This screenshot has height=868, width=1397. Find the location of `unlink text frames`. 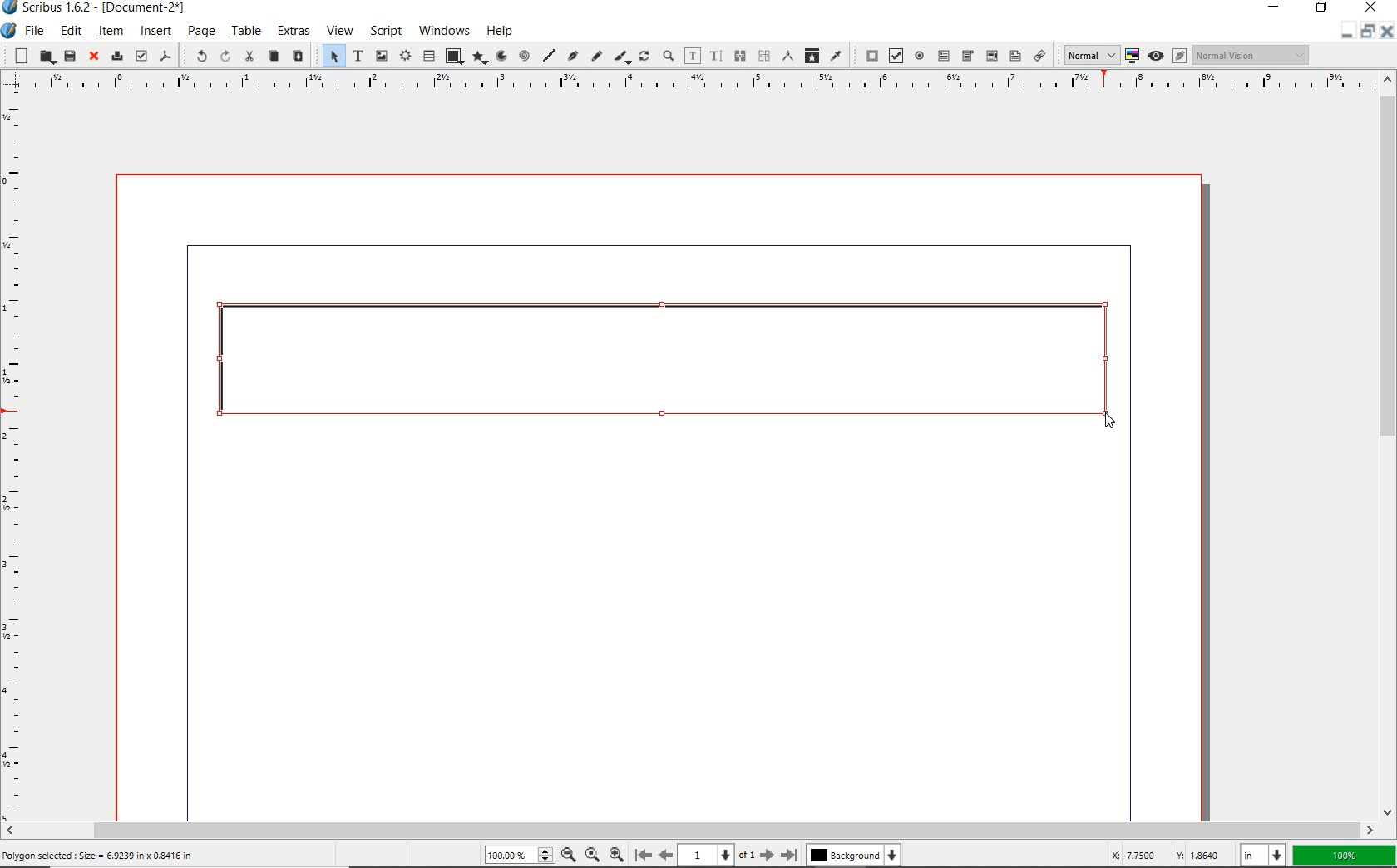

unlink text frames is located at coordinates (738, 57).